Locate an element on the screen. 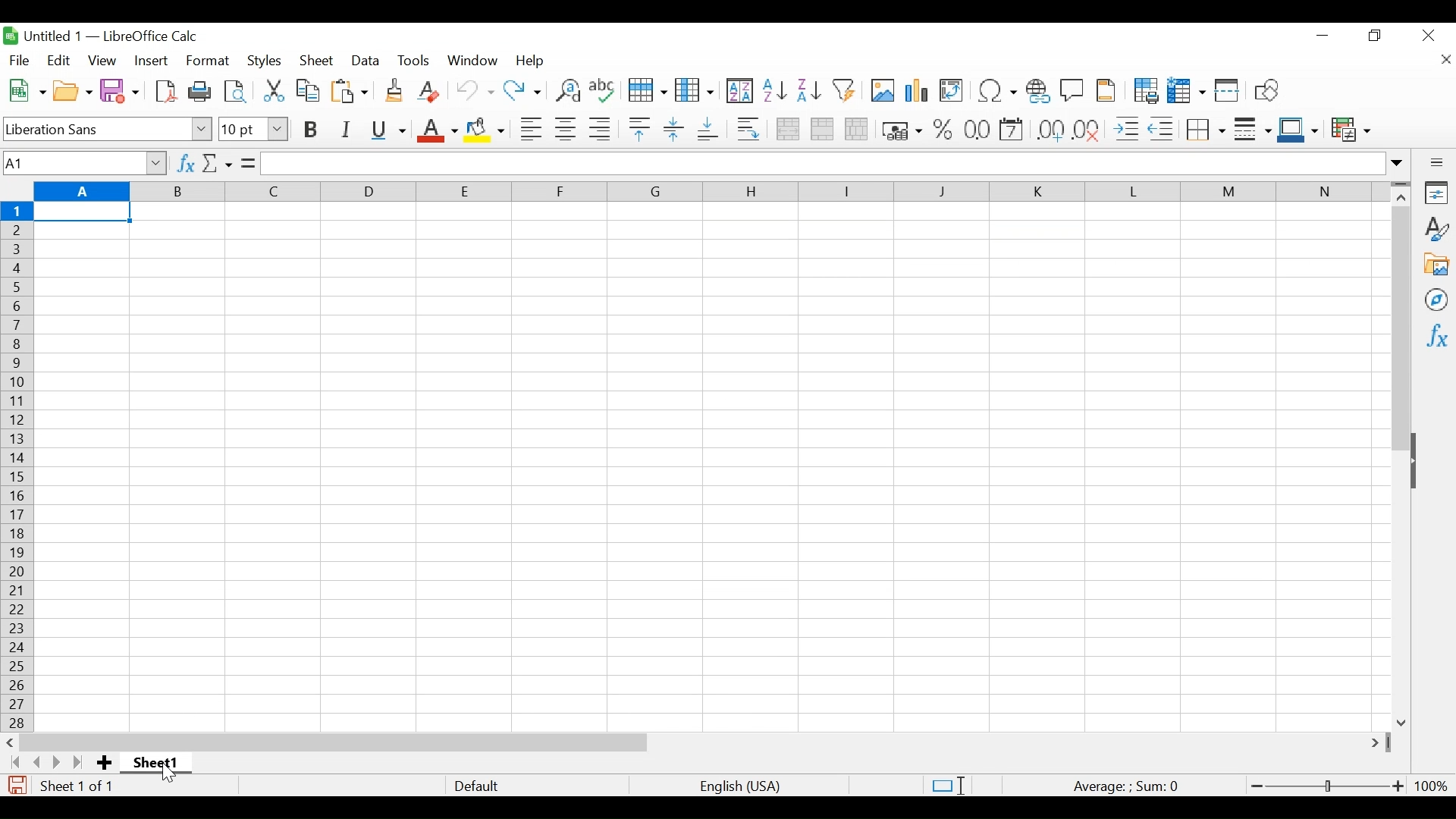 This screenshot has width=1456, height=819. Column is located at coordinates (695, 90).